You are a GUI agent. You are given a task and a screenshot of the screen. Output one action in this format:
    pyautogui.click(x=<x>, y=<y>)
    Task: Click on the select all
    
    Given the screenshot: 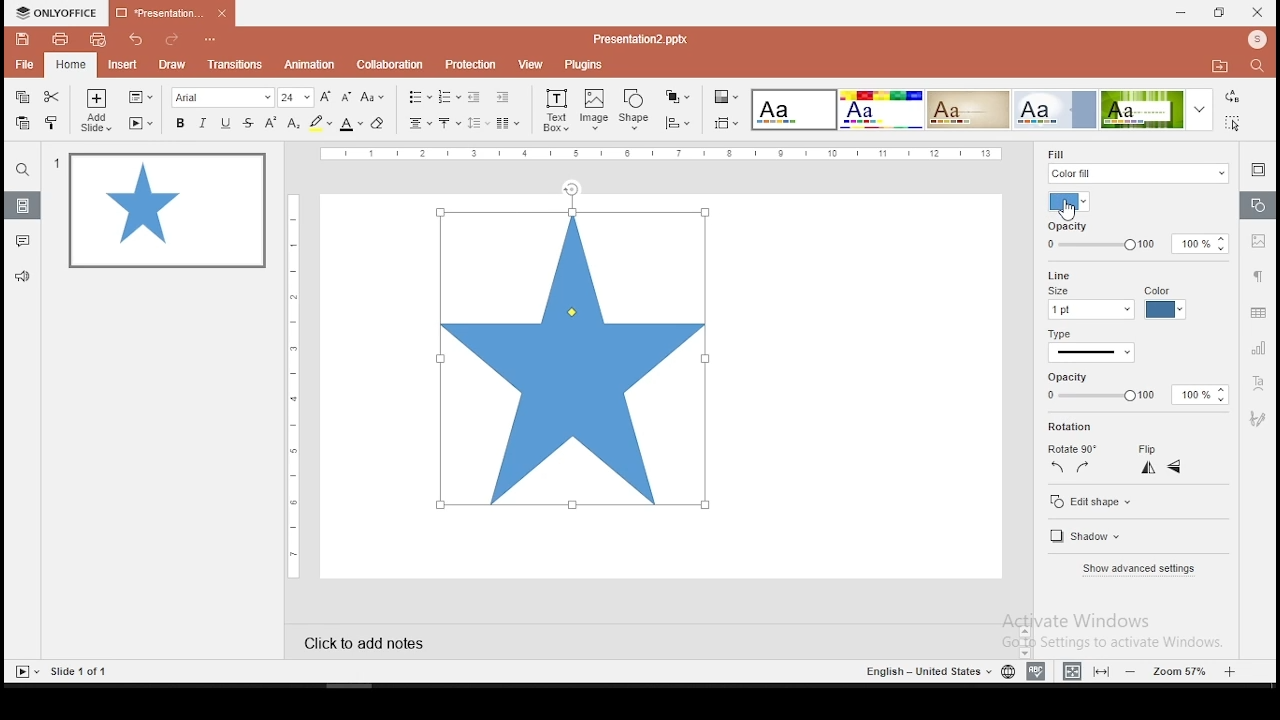 What is the action you would take?
    pyautogui.click(x=1236, y=122)
    